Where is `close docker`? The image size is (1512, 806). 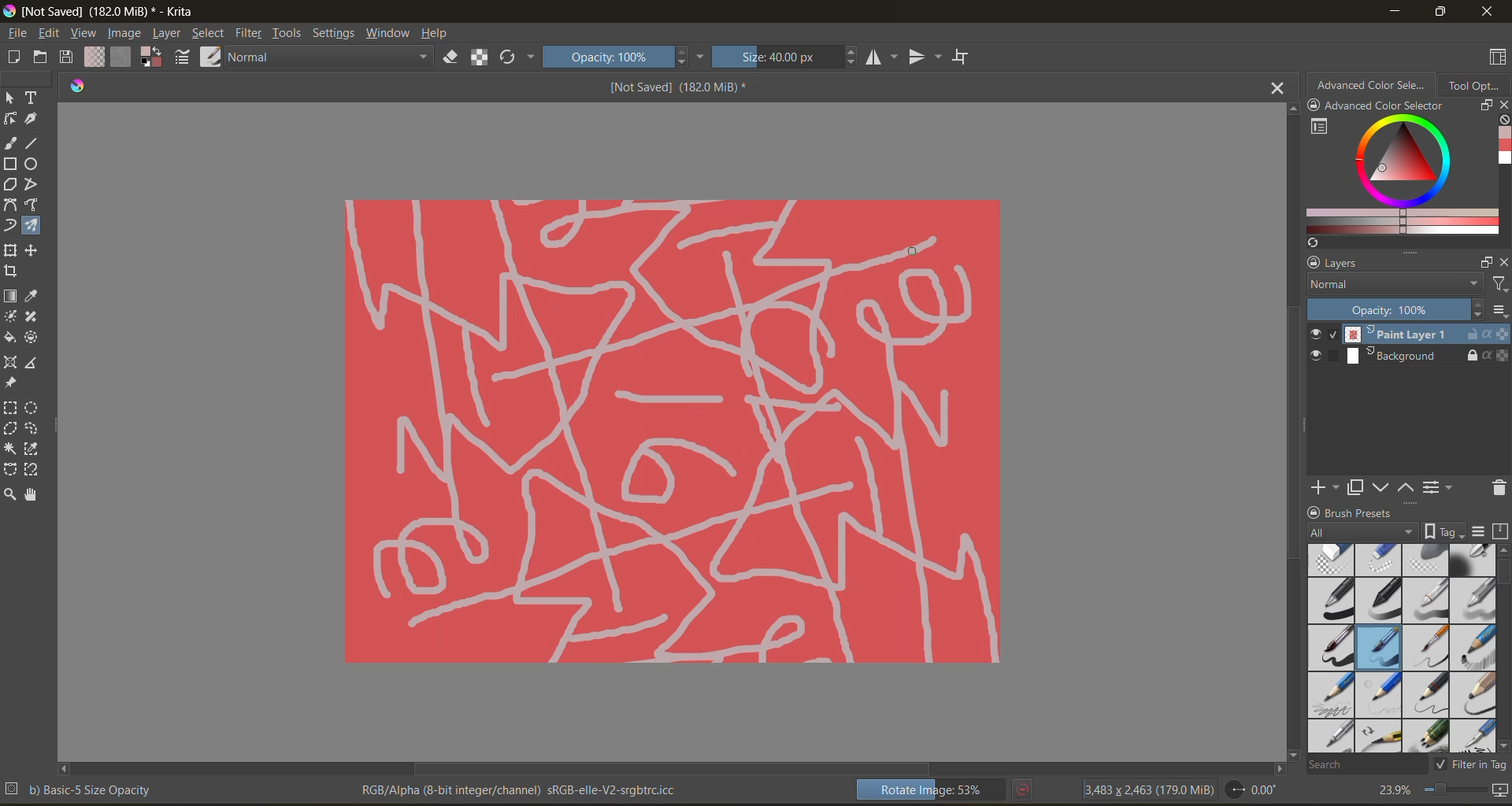
close docker is located at coordinates (1503, 263).